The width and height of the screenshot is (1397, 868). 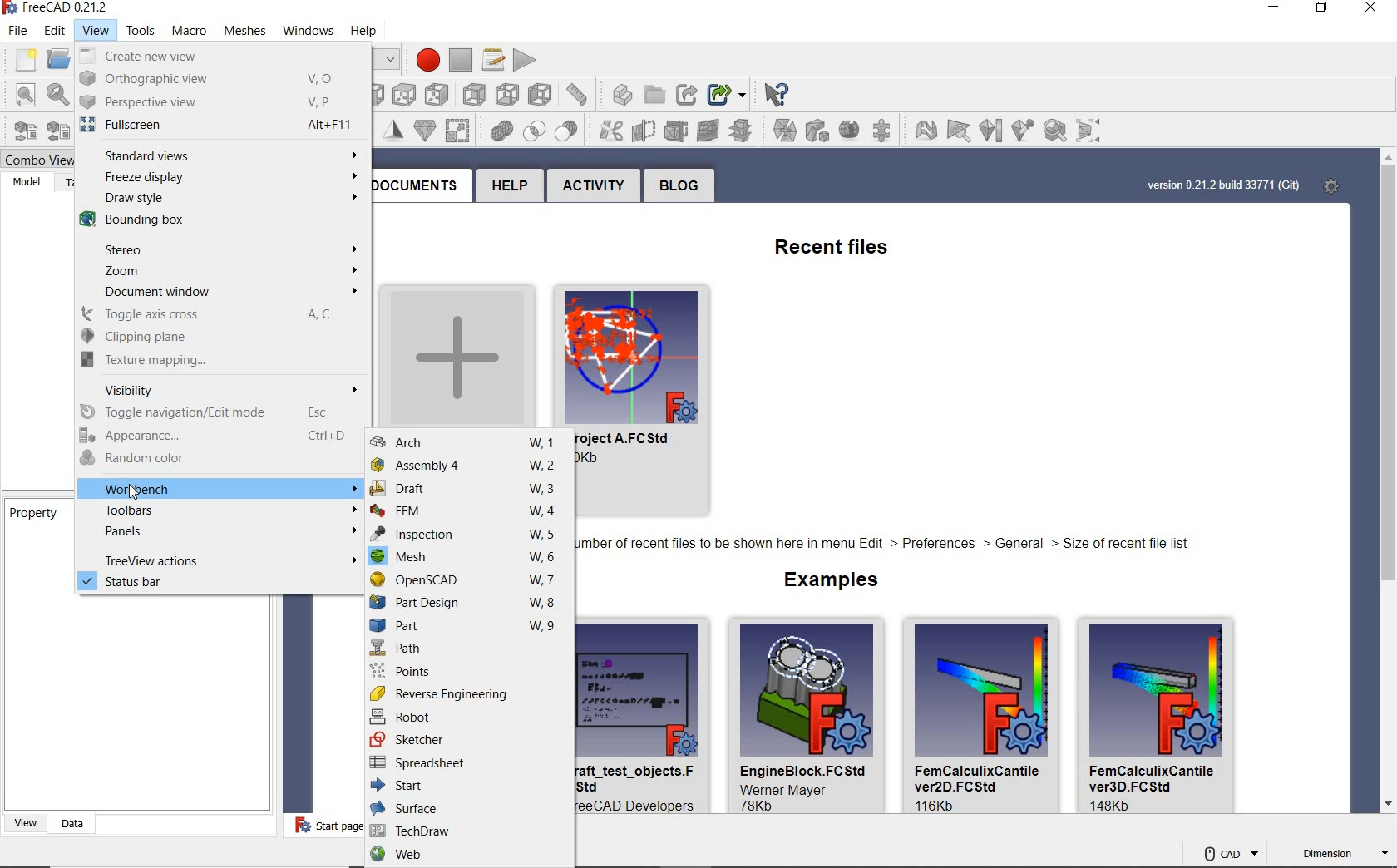 What do you see at coordinates (395, 127) in the screenshot?
I see `decimation` at bounding box center [395, 127].